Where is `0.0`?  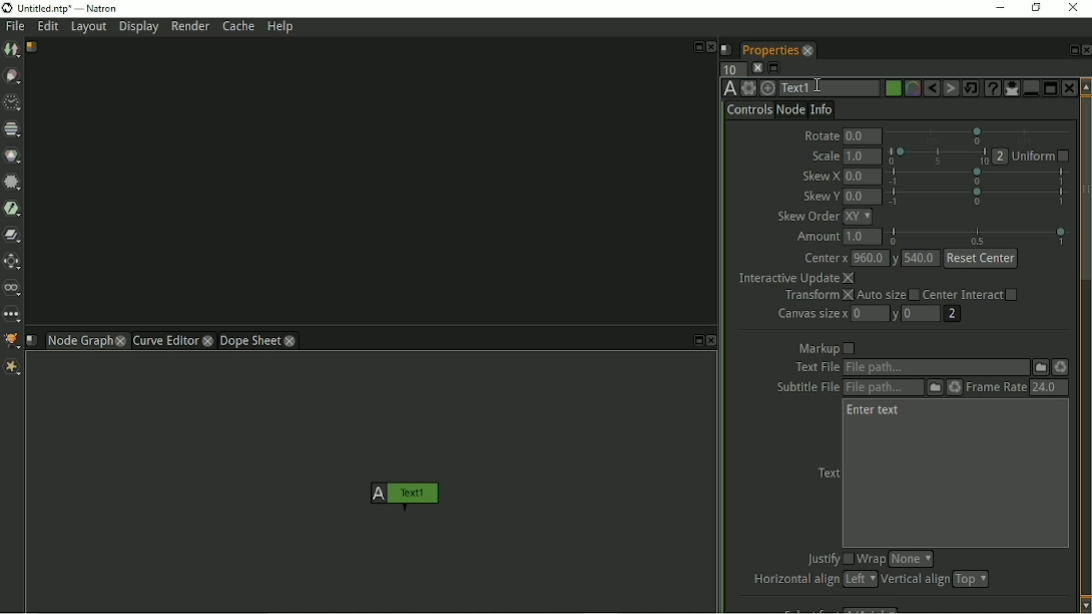
0.0 is located at coordinates (862, 177).